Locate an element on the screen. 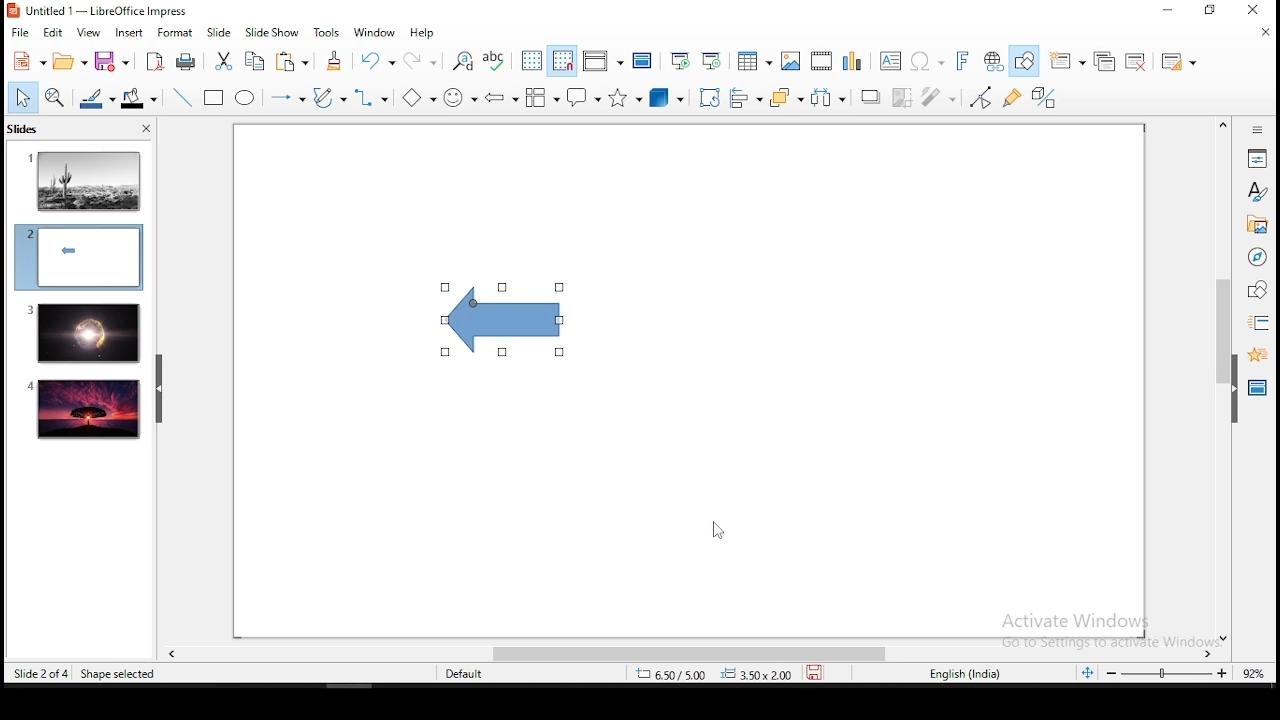 The height and width of the screenshot is (720, 1280). save is located at coordinates (110, 63).